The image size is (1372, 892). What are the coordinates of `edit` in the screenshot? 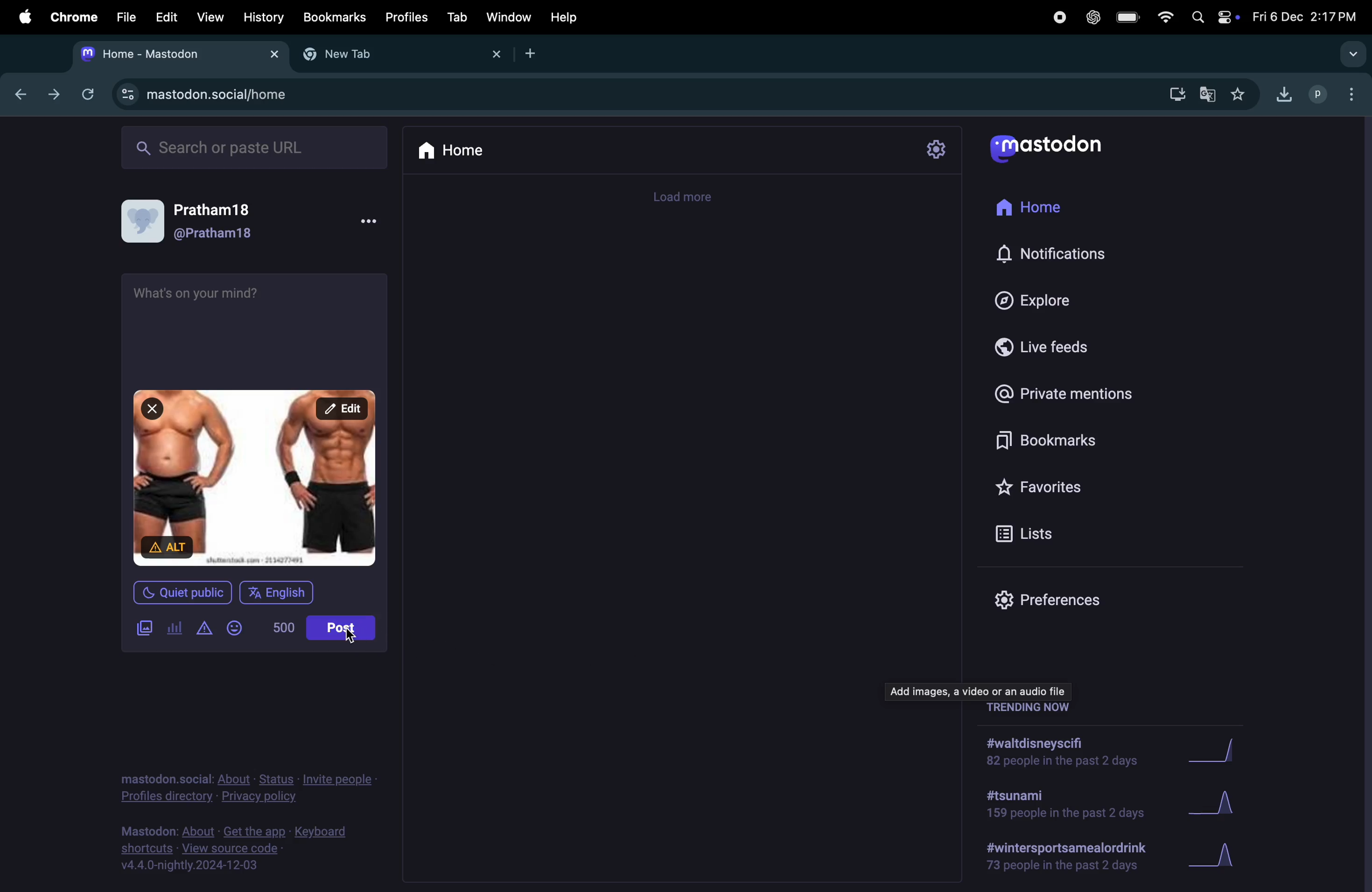 It's located at (166, 17).